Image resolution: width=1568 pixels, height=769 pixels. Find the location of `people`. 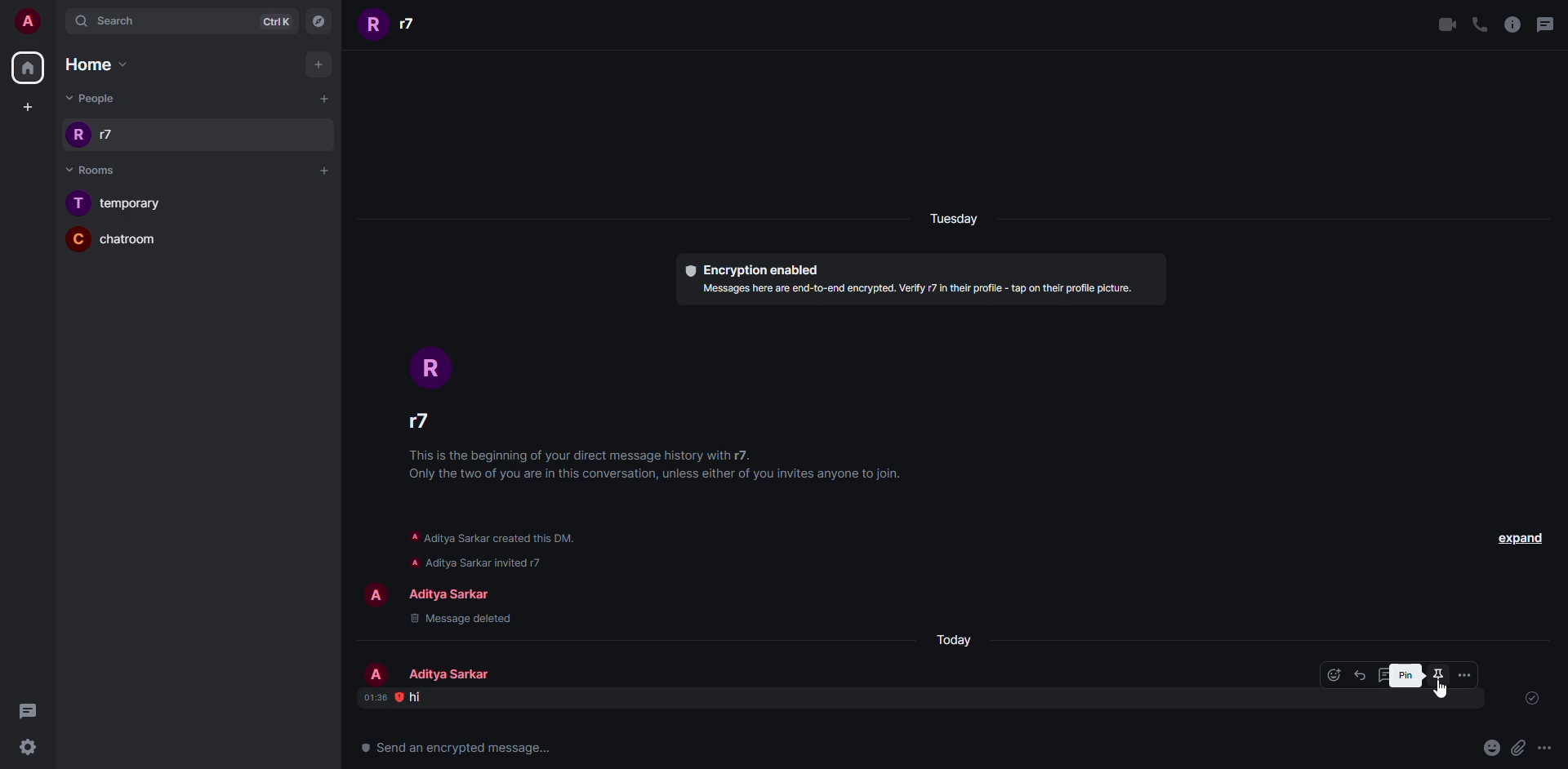

people is located at coordinates (96, 133).